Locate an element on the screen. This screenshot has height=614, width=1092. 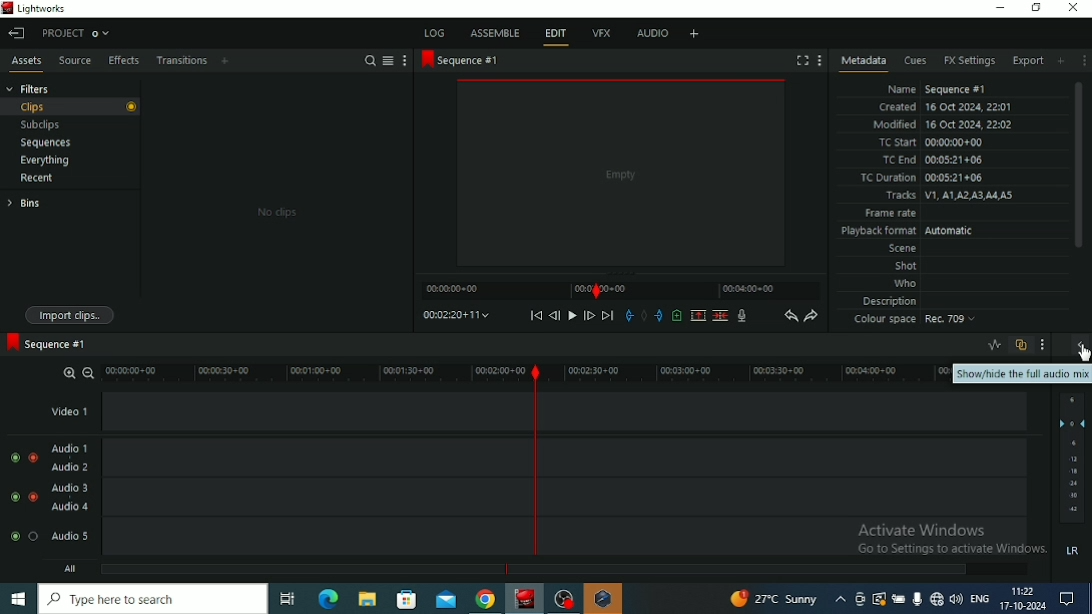
ASSEMBLE is located at coordinates (495, 33).